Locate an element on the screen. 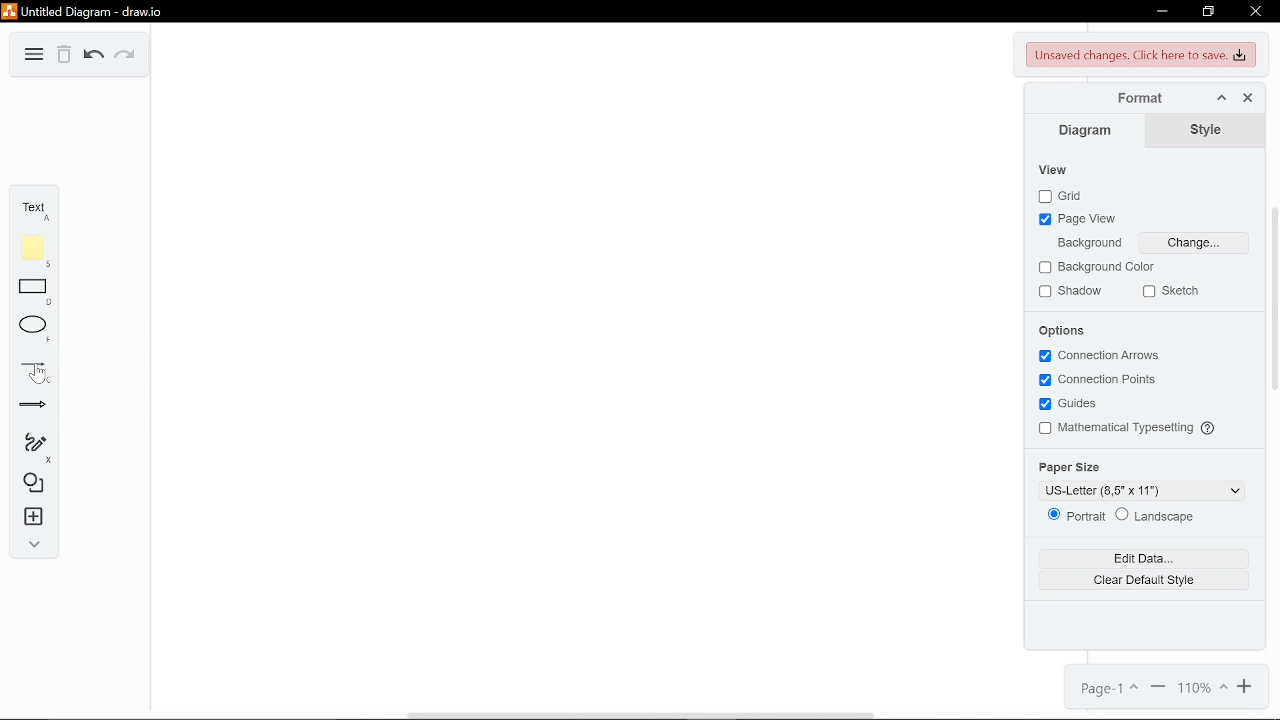  Shadow is located at coordinates (1070, 292).